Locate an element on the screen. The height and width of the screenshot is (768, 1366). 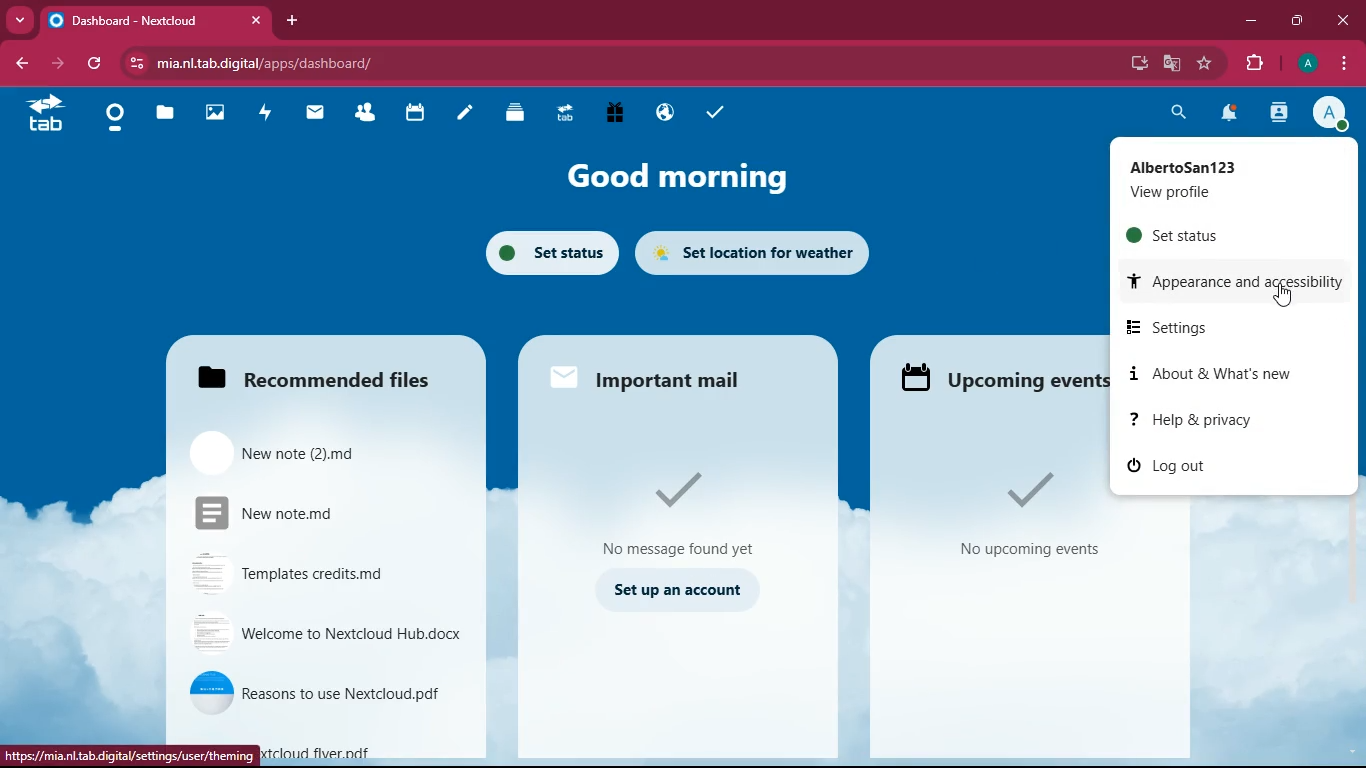
refresh is located at coordinates (96, 64).